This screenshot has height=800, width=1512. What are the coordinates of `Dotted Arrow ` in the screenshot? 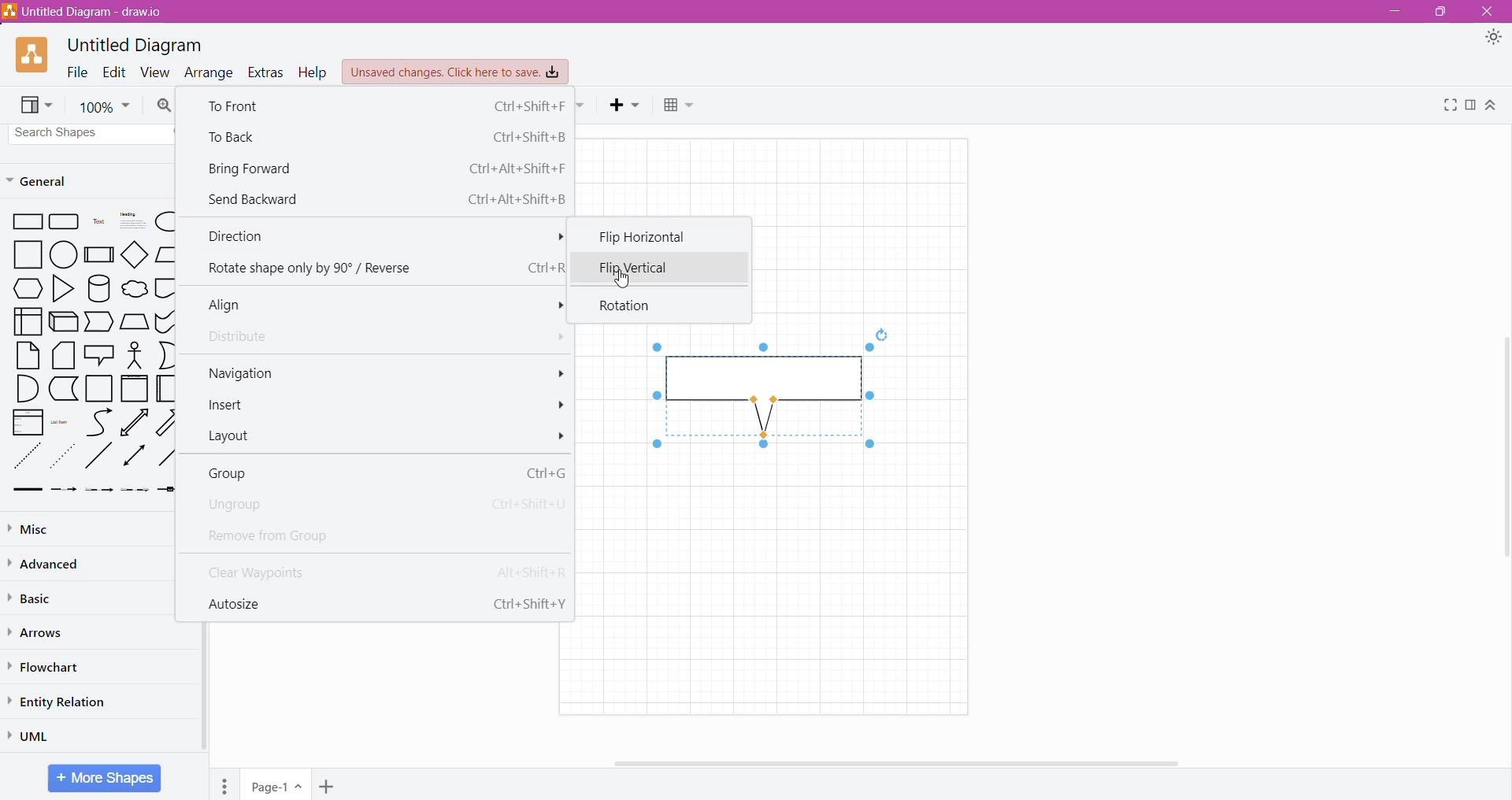 It's located at (65, 456).